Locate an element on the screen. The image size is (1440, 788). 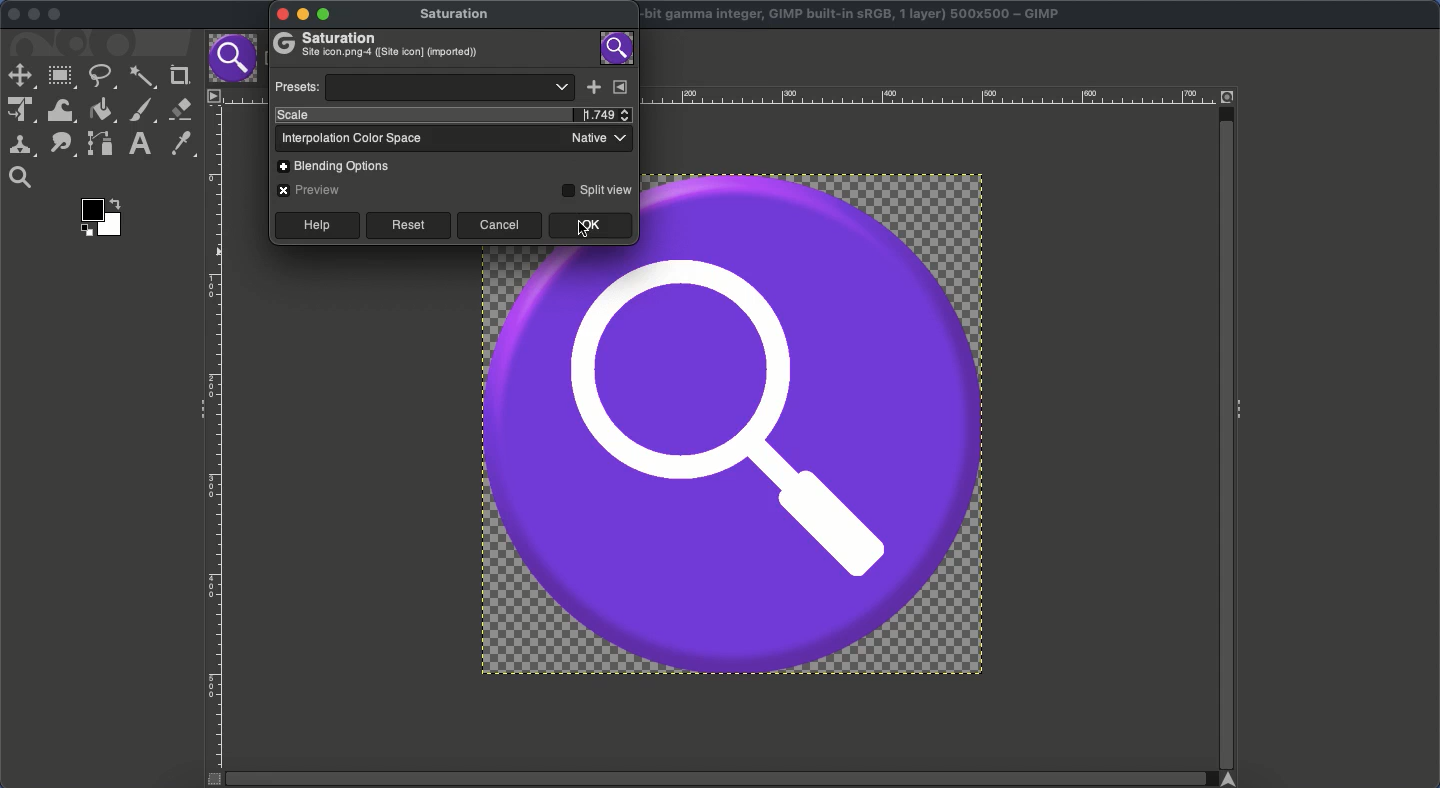
Scroll is located at coordinates (724, 779).